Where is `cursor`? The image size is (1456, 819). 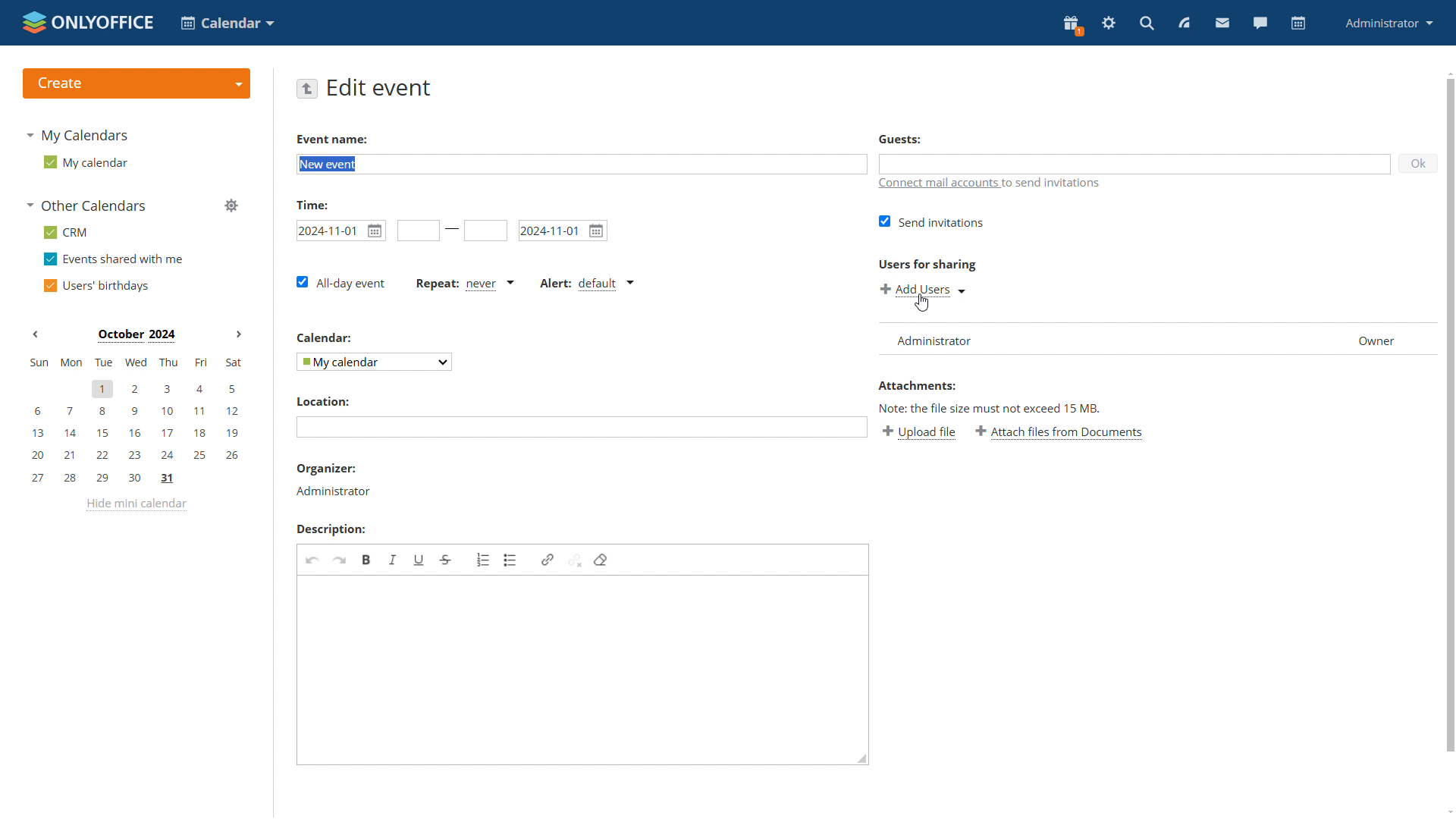
cursor is located at coordinates (921, 303).